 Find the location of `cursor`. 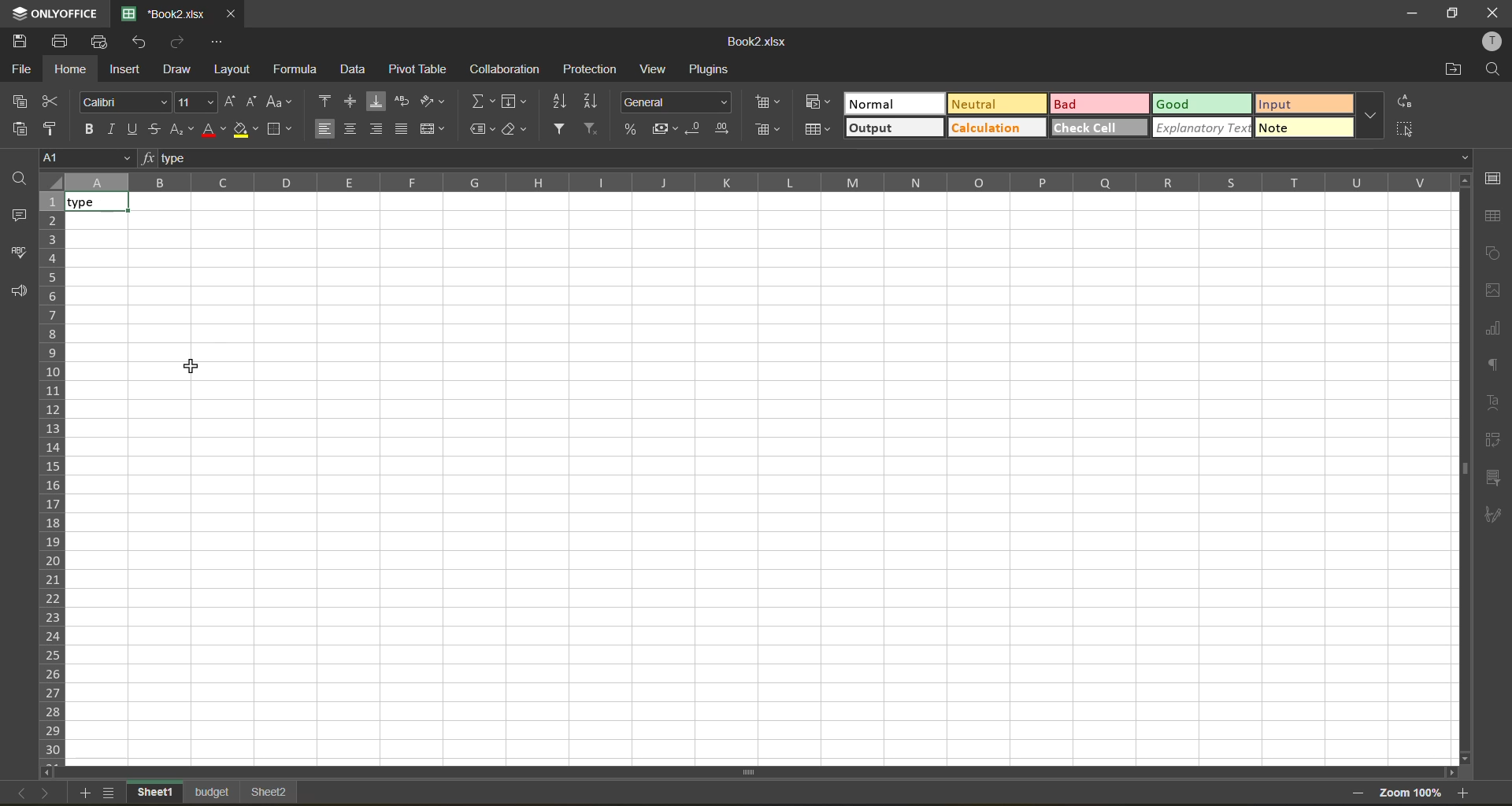

cursor is located at coordinates (192, 370).